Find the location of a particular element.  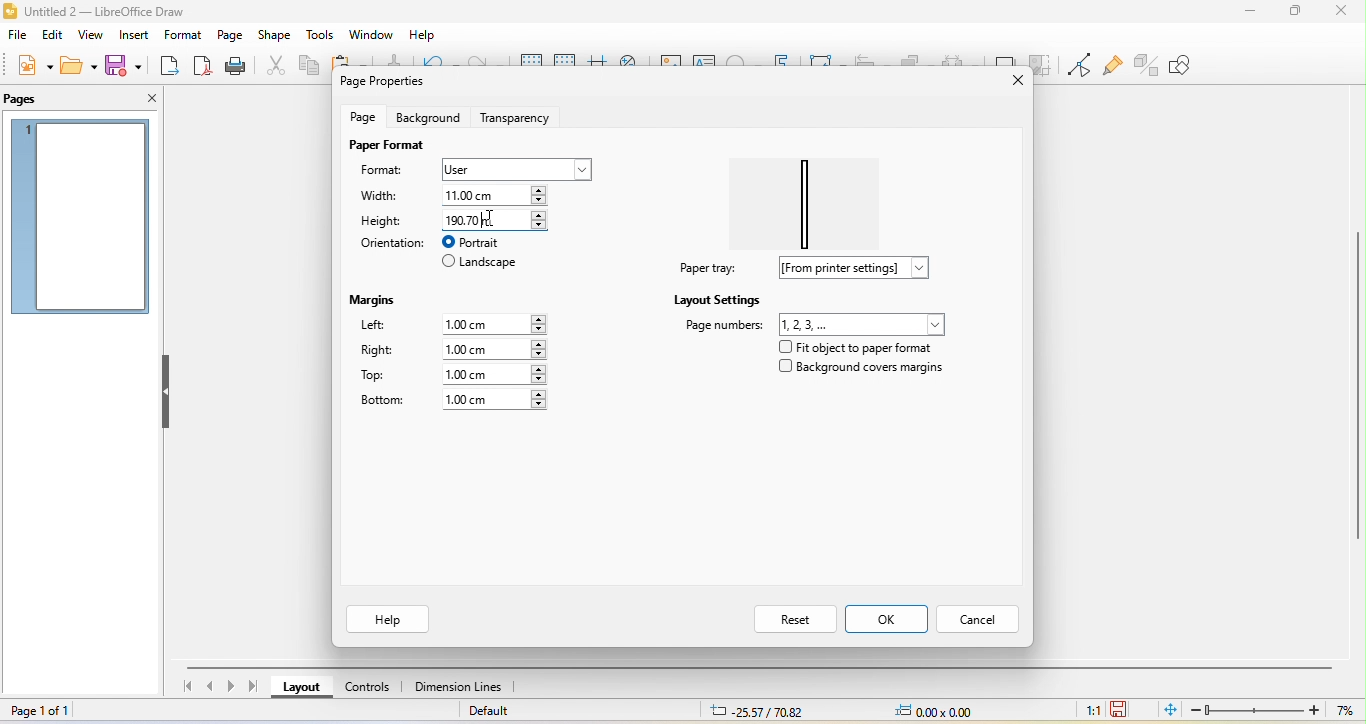

background cover margins is located at coordinates (862, 371).